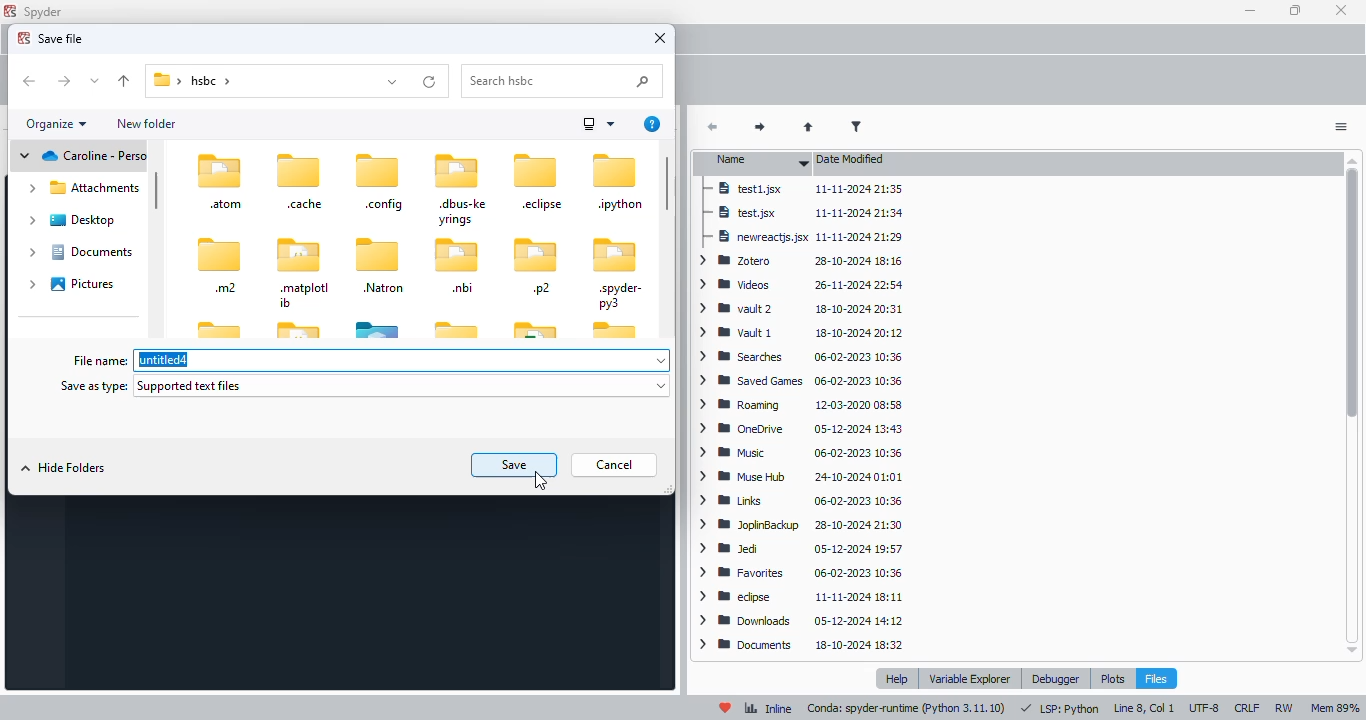 This screenshot has height=720, width=1366. I want to click on LSP: Python, so click(1059, 709).